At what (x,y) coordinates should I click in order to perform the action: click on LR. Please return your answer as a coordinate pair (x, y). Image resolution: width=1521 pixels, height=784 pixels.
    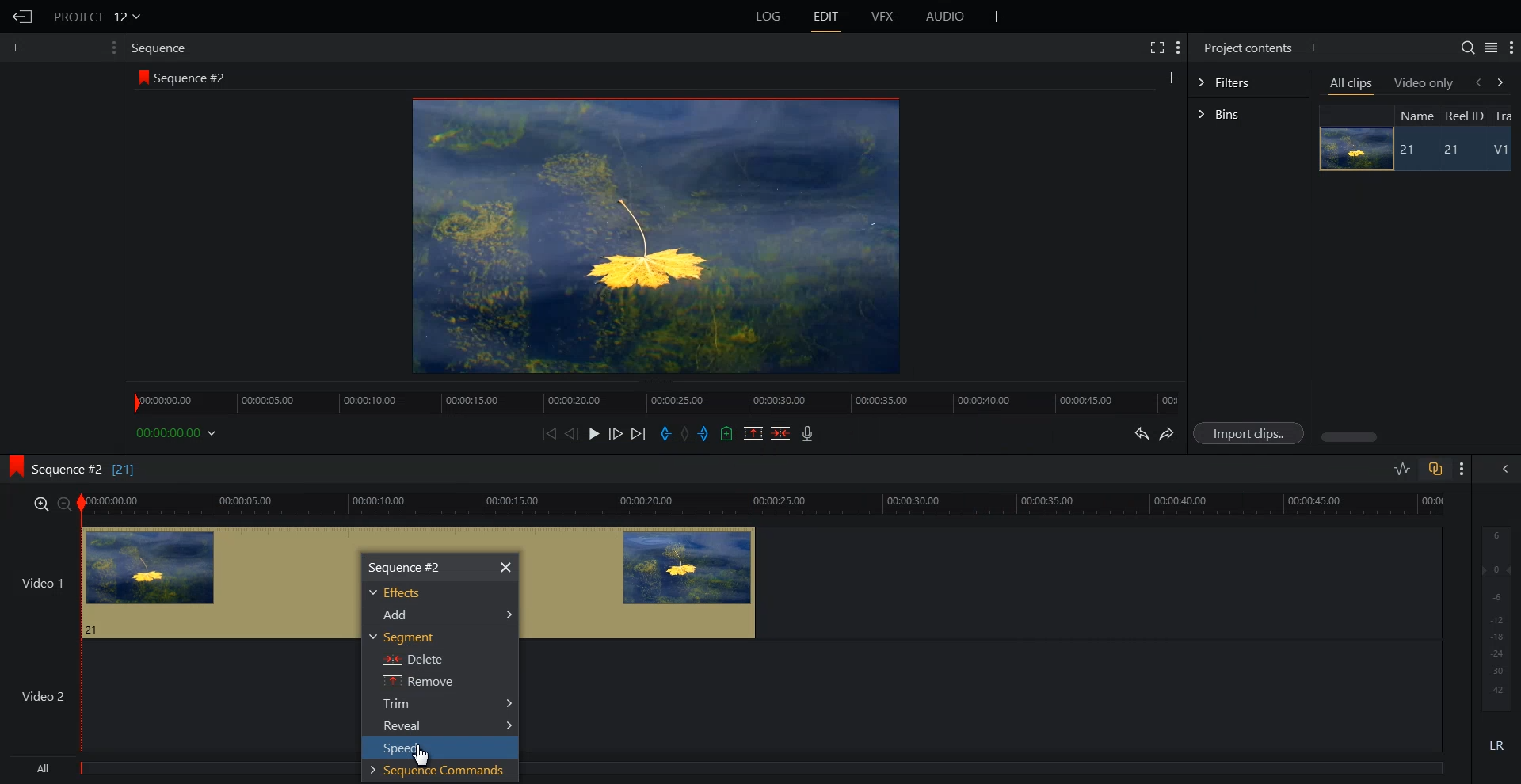
    Looking at the image, I should click on (1497, 743).